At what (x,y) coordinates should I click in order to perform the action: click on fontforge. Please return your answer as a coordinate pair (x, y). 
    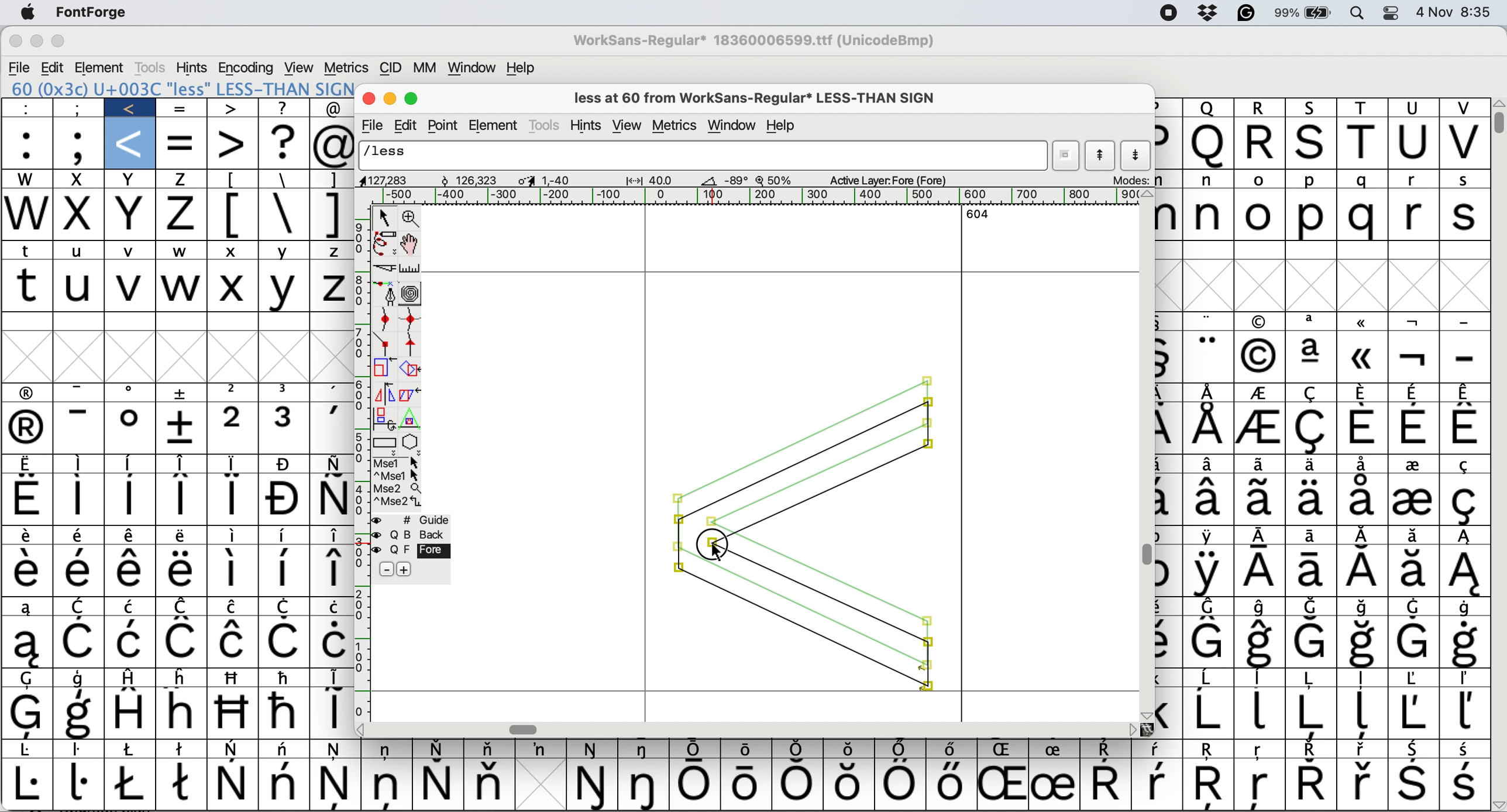
    Looking at the image, I should click on (90, 13).